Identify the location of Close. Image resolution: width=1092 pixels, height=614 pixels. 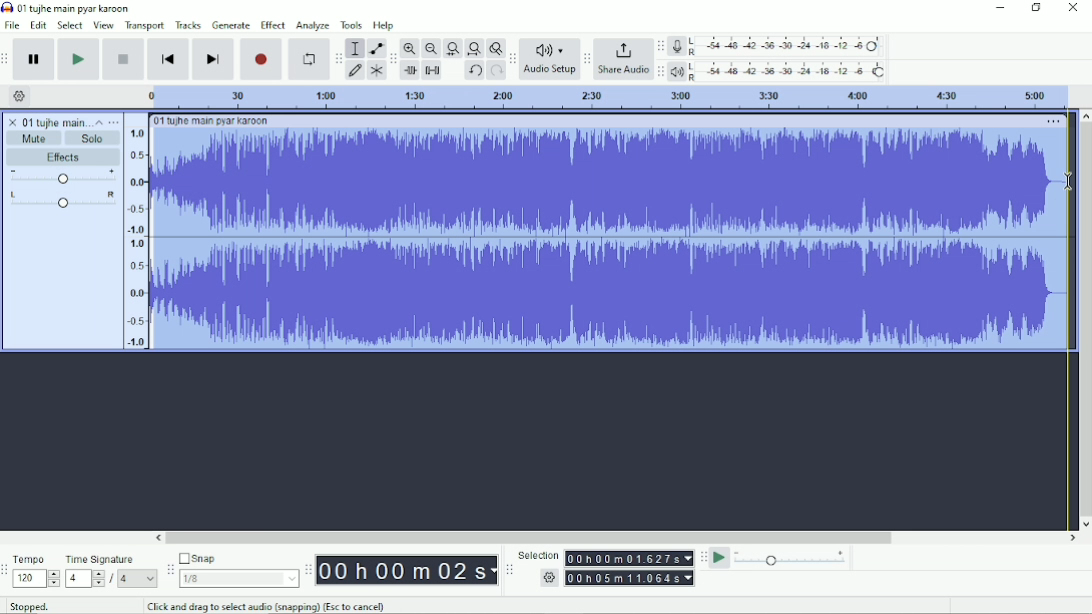
(1072, 8).